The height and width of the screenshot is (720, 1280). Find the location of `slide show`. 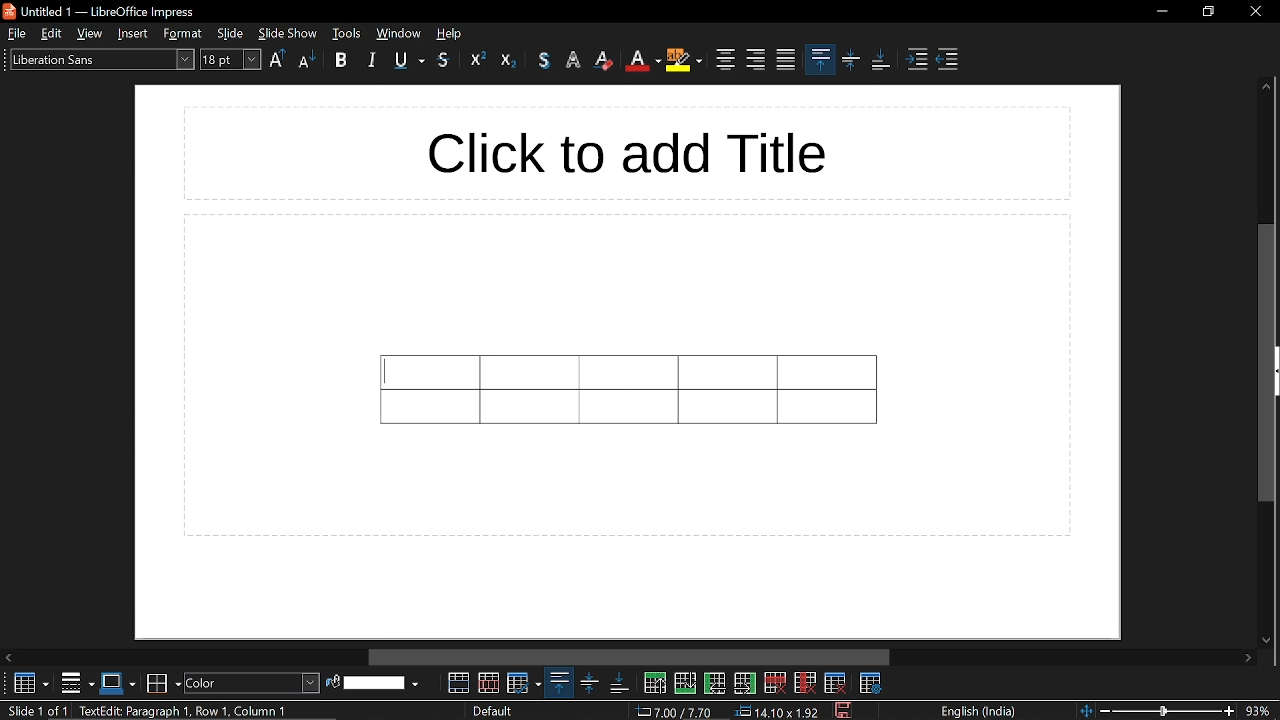

slide show is located at coordinates (289, 33).